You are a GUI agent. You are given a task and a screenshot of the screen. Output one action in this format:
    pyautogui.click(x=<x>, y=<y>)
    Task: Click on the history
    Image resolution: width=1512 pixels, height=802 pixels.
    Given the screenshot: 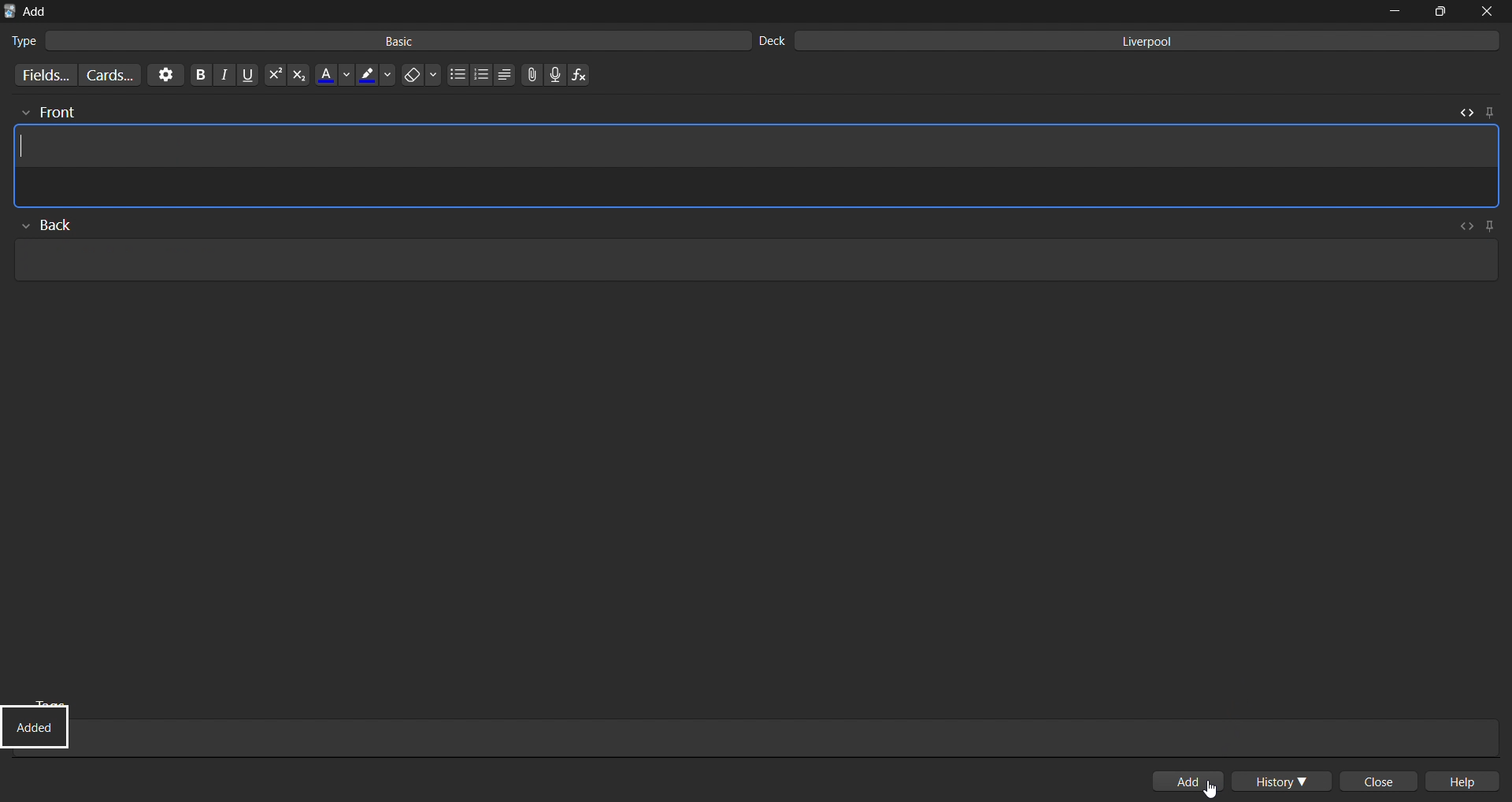 What is the action you would take?
    pyautogui.click(x=1285, y=780)
    